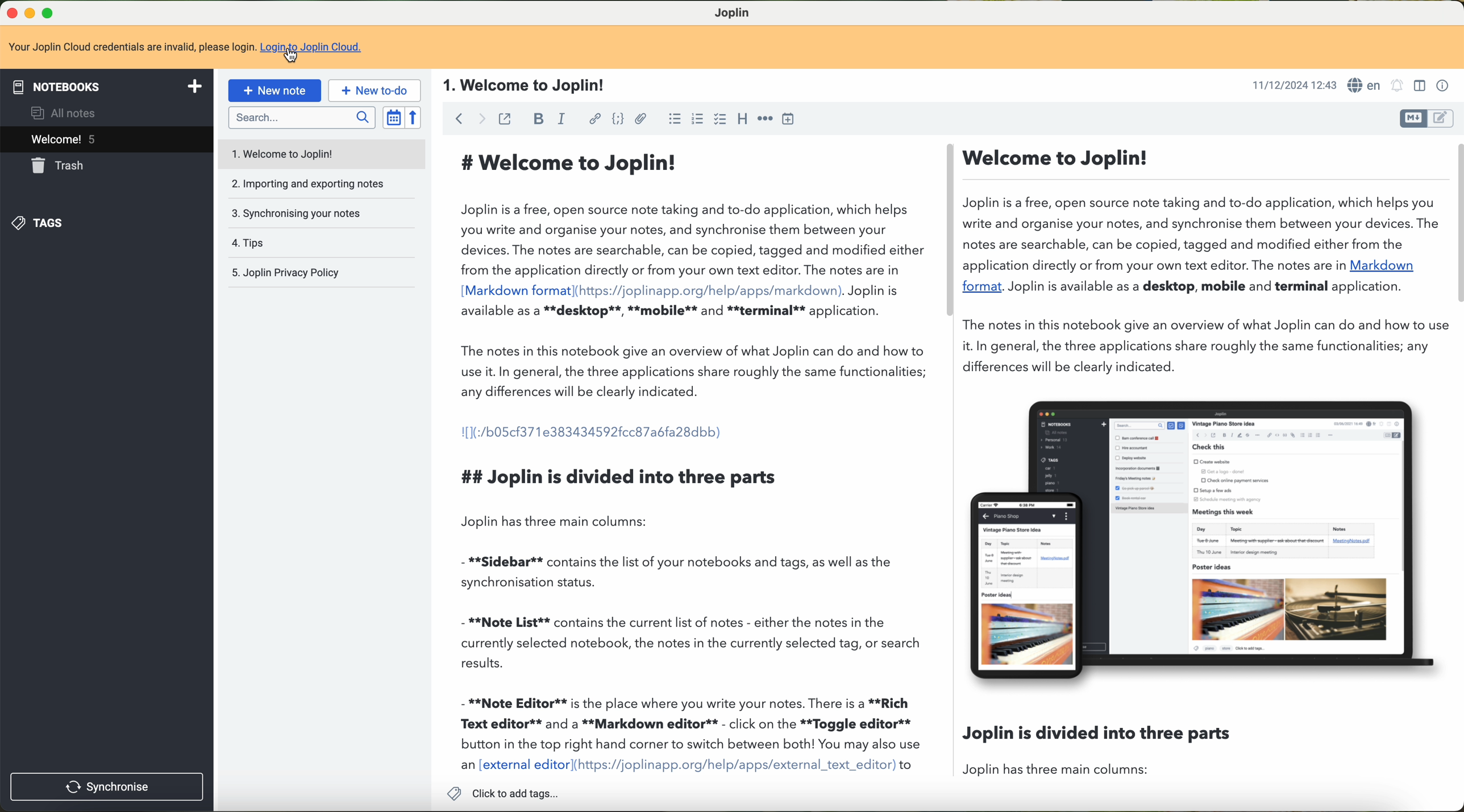 The height and width of the screenshot is (812, 1464). Describe the element at coordinates (674, 119) in the screenshot. I see `bulleted list` at that location.